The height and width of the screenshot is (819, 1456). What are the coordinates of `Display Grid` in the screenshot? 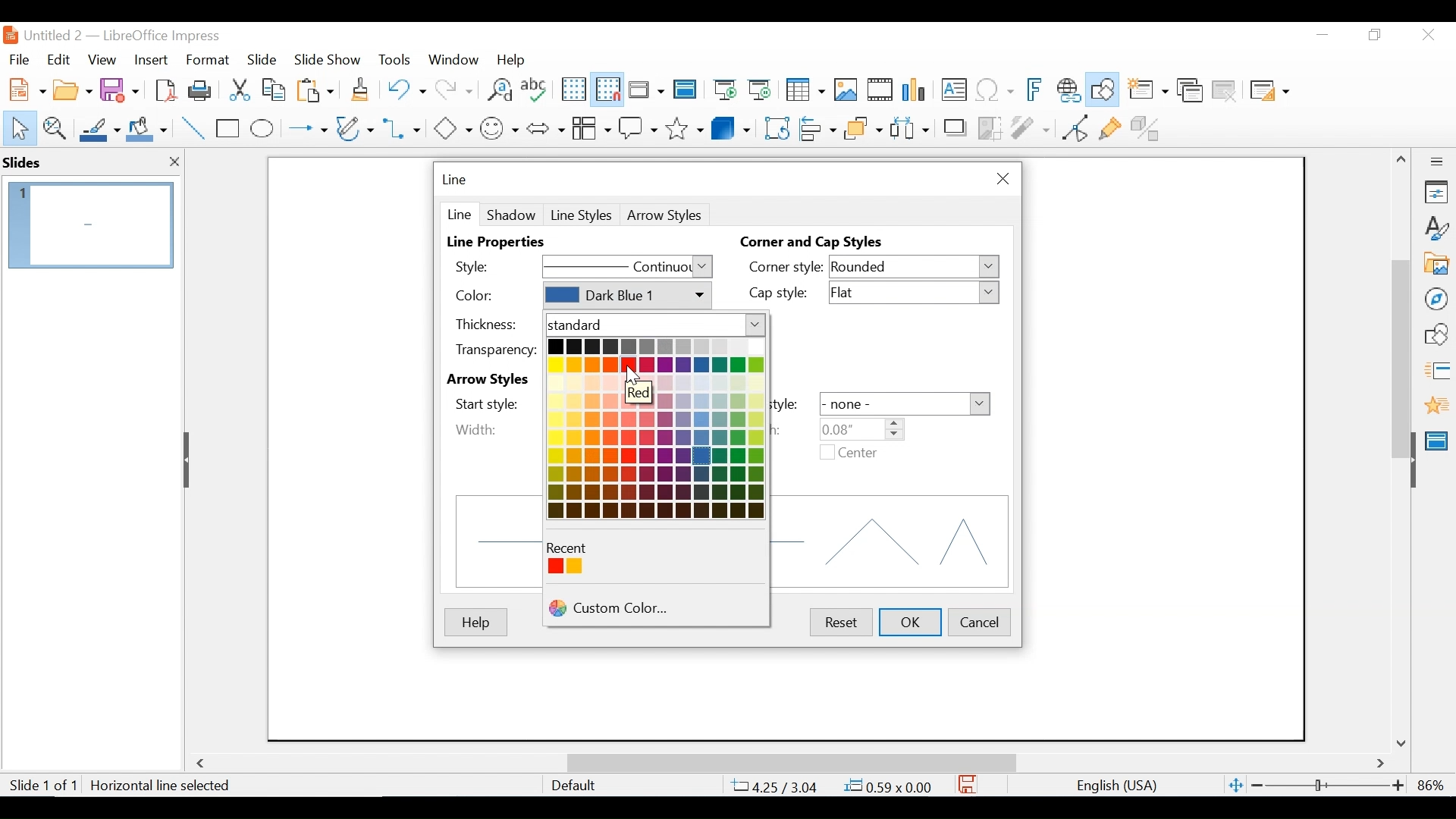 It's located at (573, 89).